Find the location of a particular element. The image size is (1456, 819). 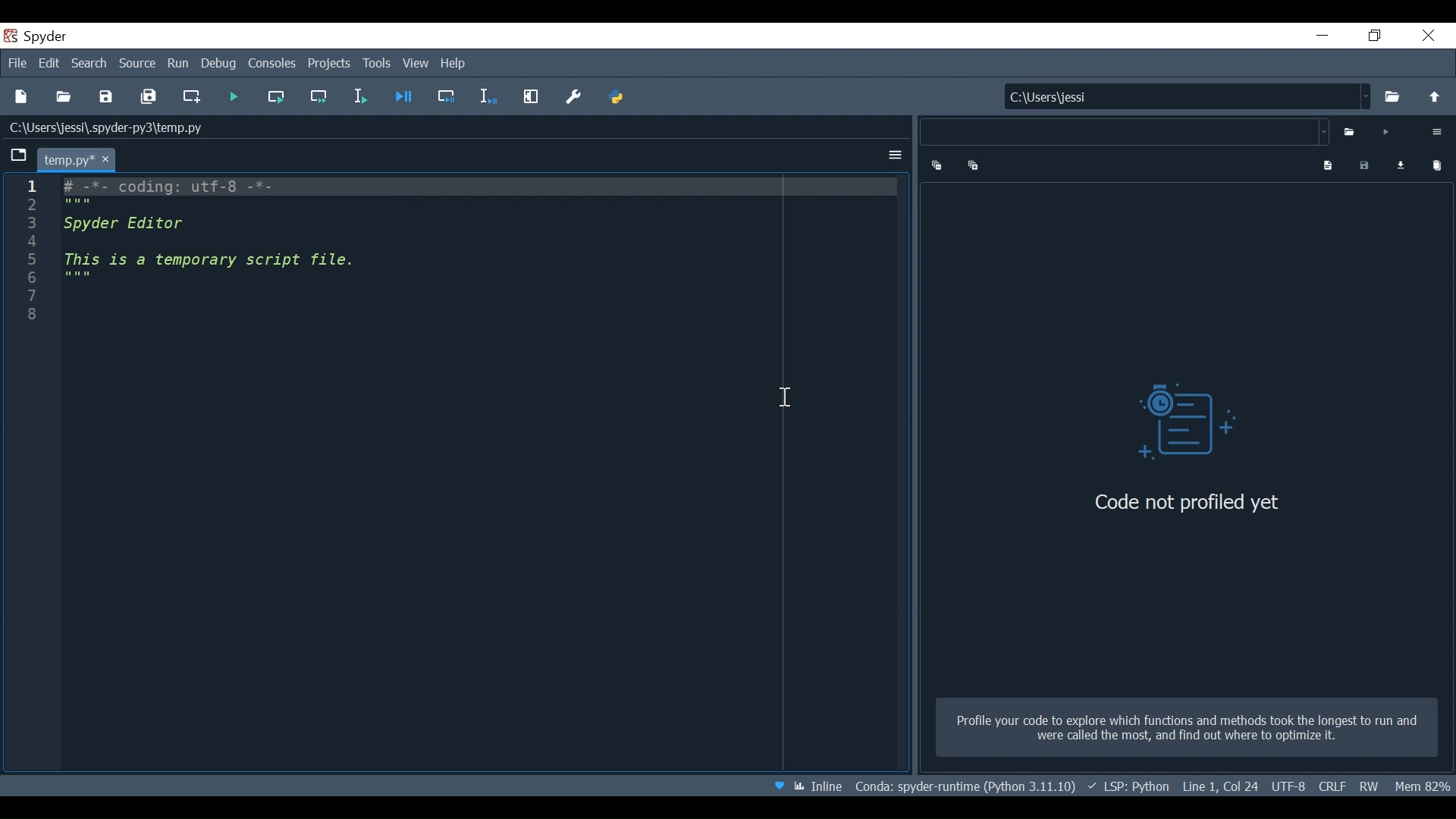

Cursor Position is located at coordinates (1222, 784).